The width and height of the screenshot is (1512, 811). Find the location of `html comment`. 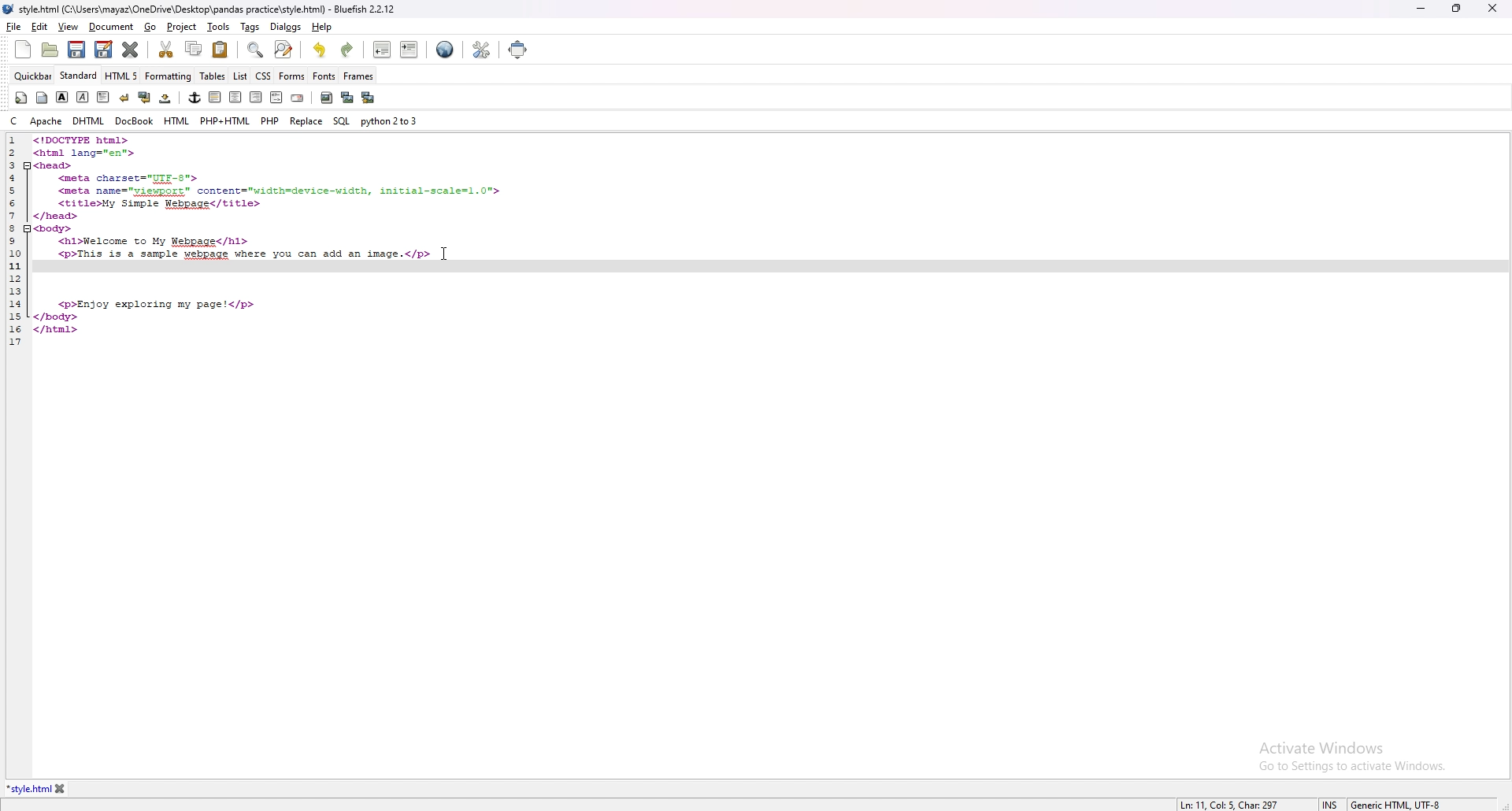

html comment is located at coordinates (277, 98).